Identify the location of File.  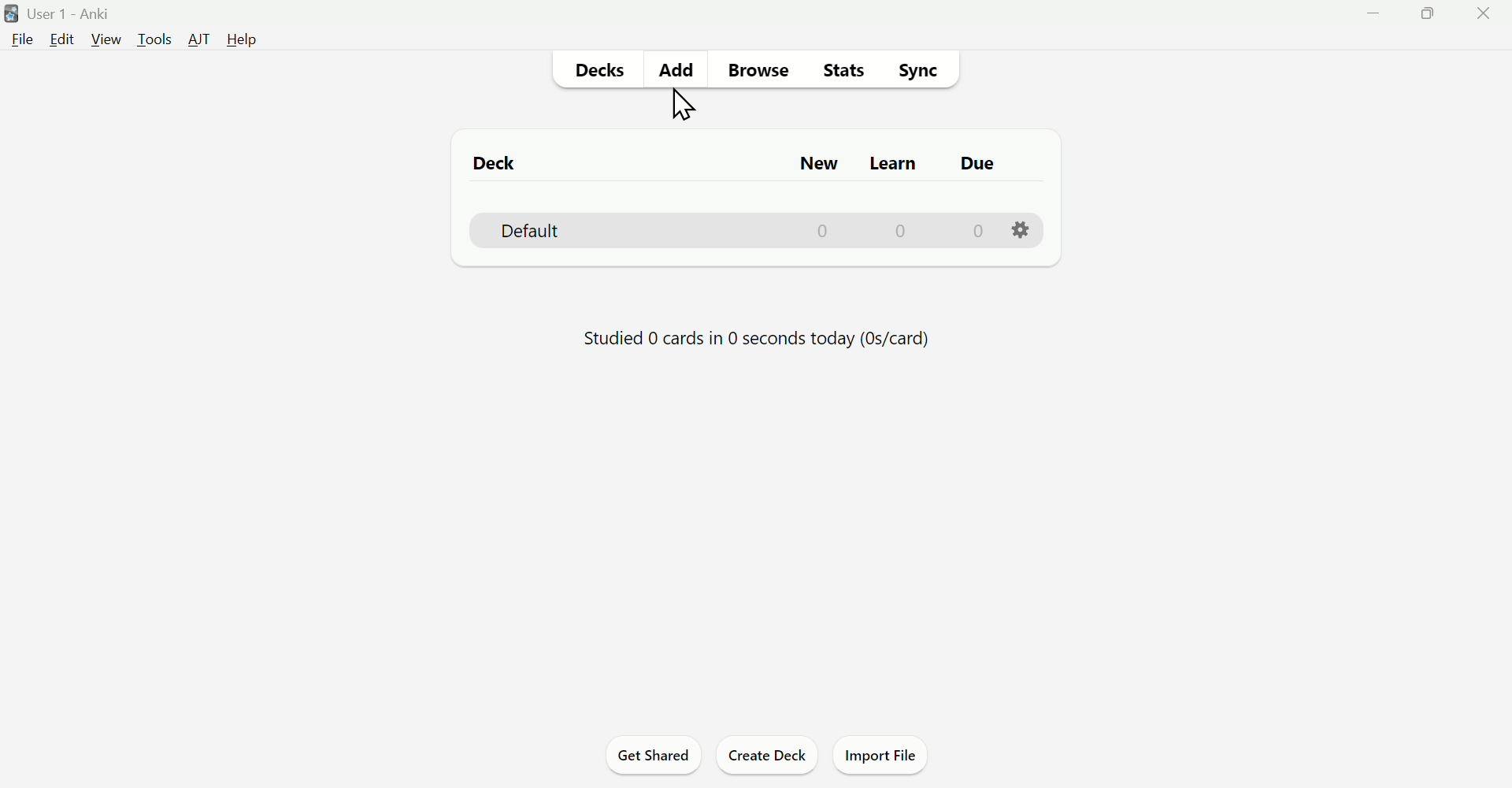
(23, 37).